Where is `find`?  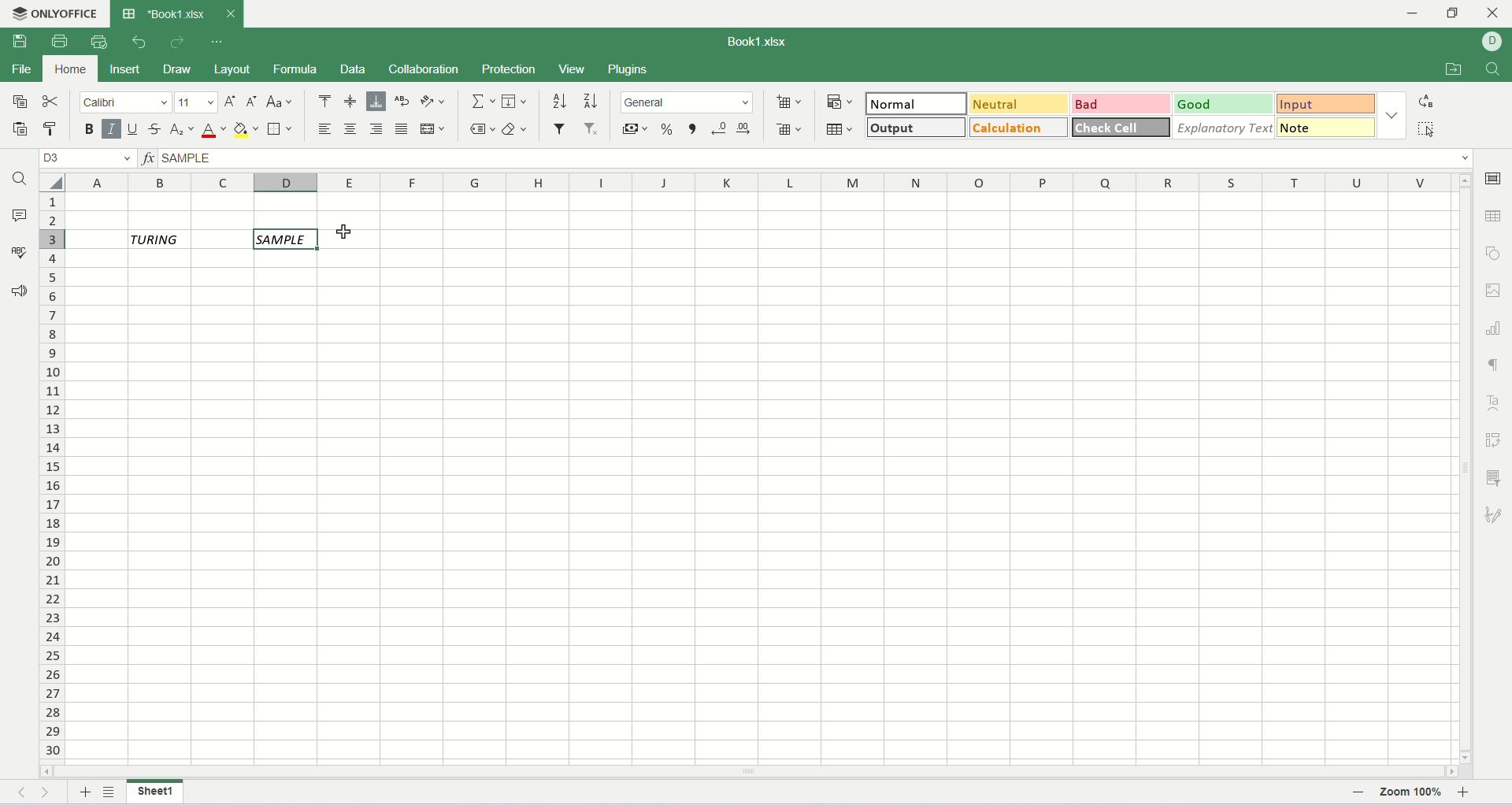 find is located at coordinates (1493, 69).